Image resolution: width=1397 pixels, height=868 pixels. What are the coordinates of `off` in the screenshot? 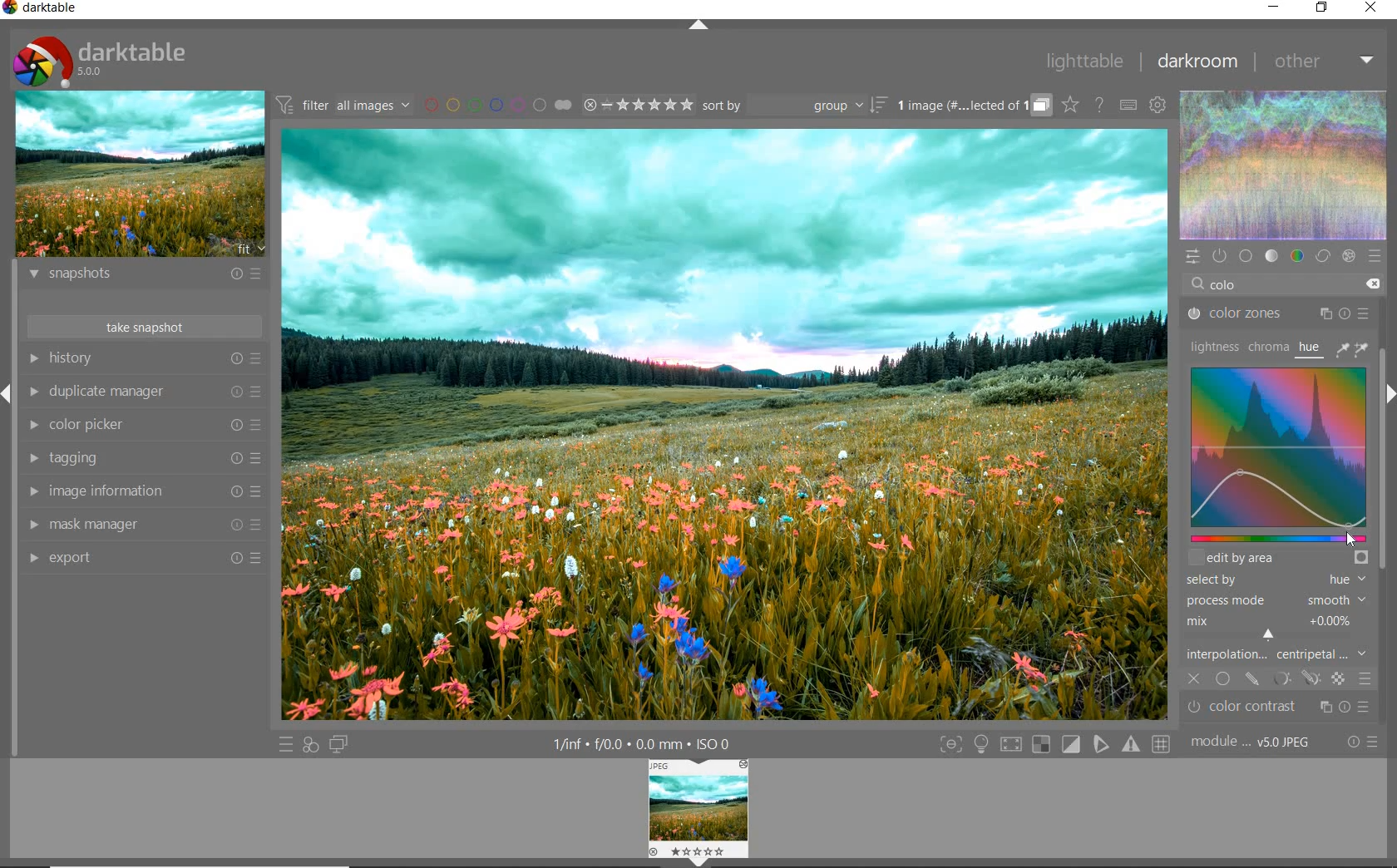 It's located at (1195, 677).